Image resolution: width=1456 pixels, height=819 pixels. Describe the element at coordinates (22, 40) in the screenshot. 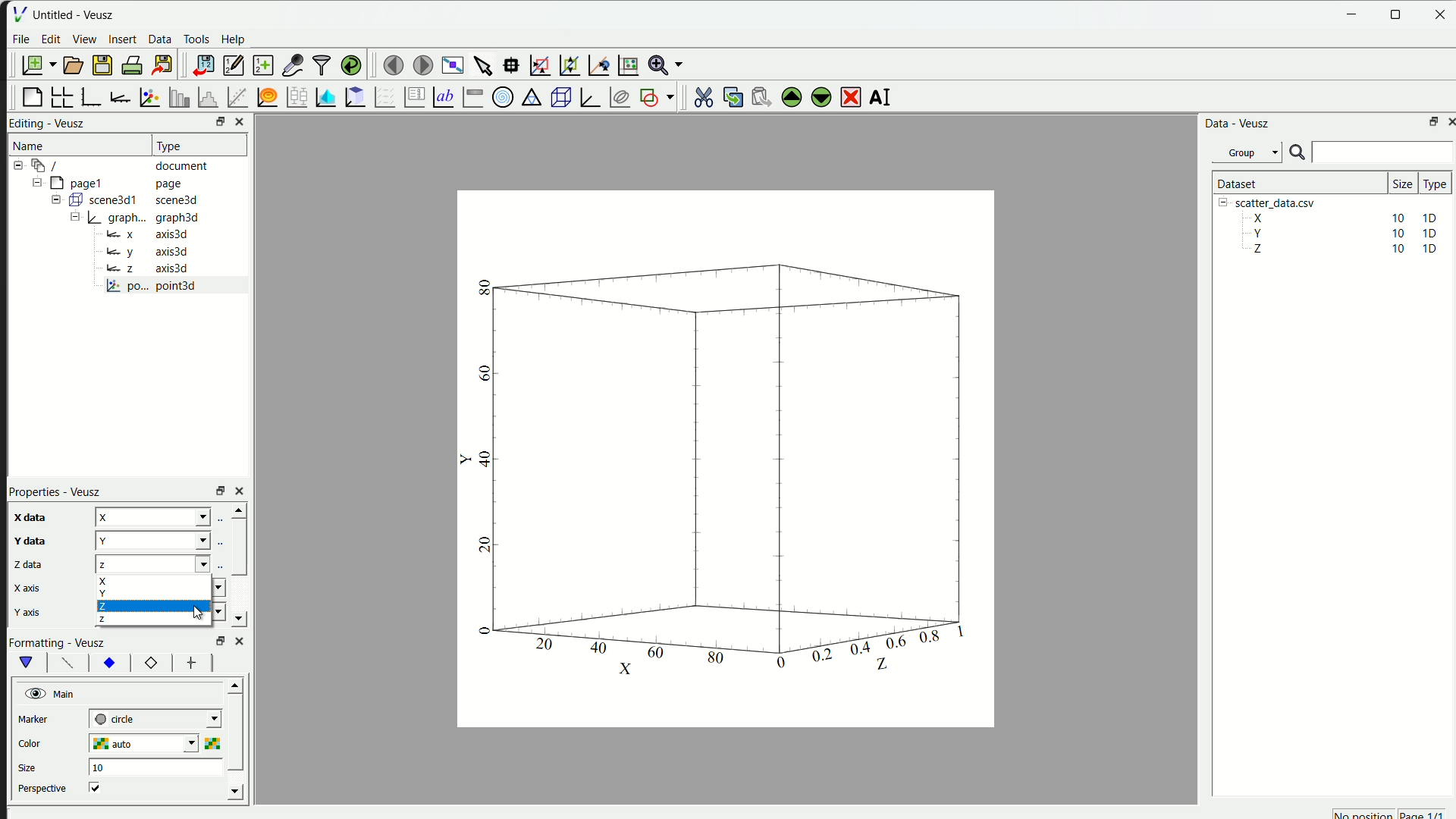

I see `File` at that location.